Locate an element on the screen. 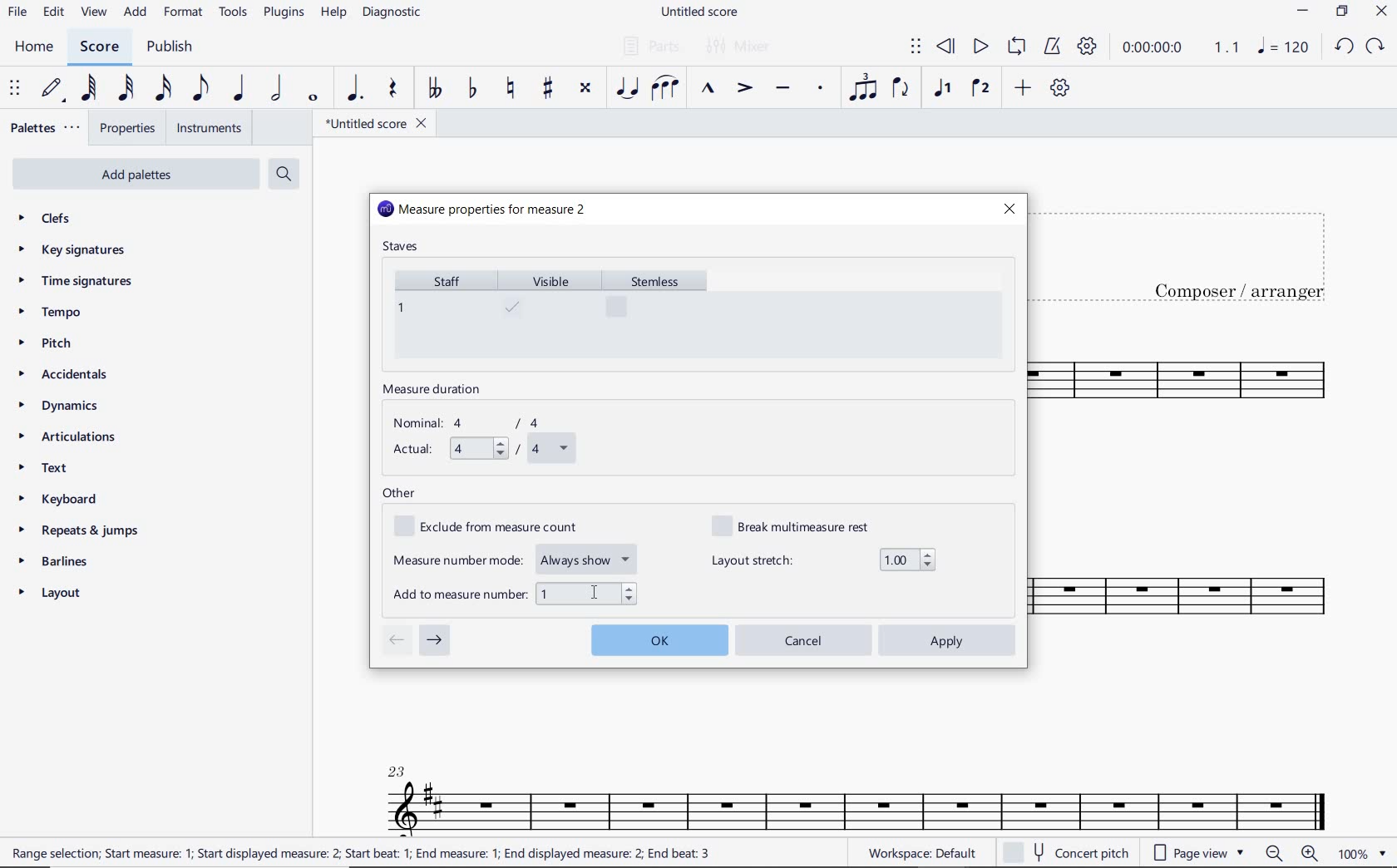 Image resolution: width=1397 pixels, height=868 pixels. break multimeasure rest is located at coordinates (802, 525).